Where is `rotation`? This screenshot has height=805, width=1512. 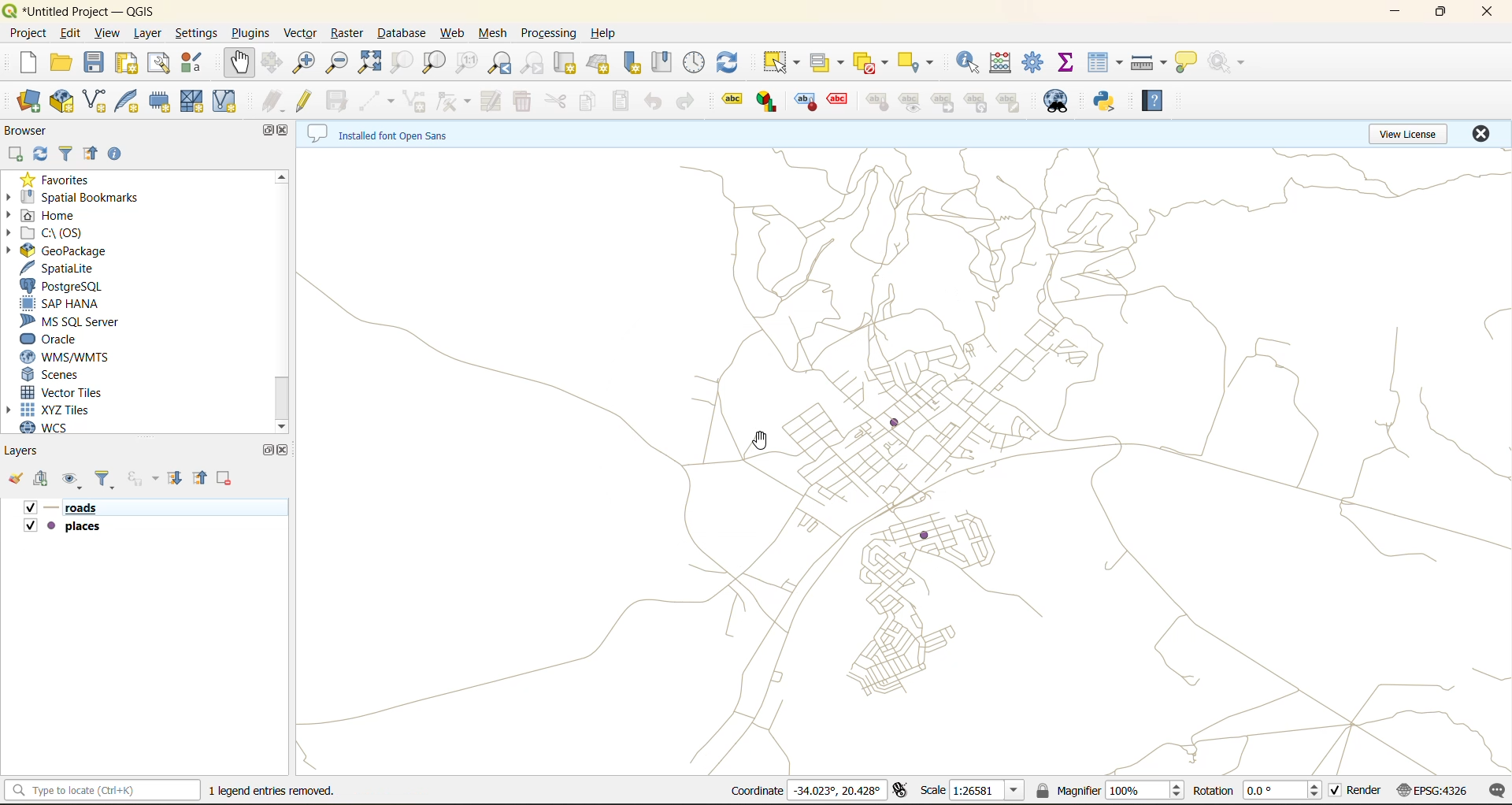
rotation is located at coordinates (1261, 791).